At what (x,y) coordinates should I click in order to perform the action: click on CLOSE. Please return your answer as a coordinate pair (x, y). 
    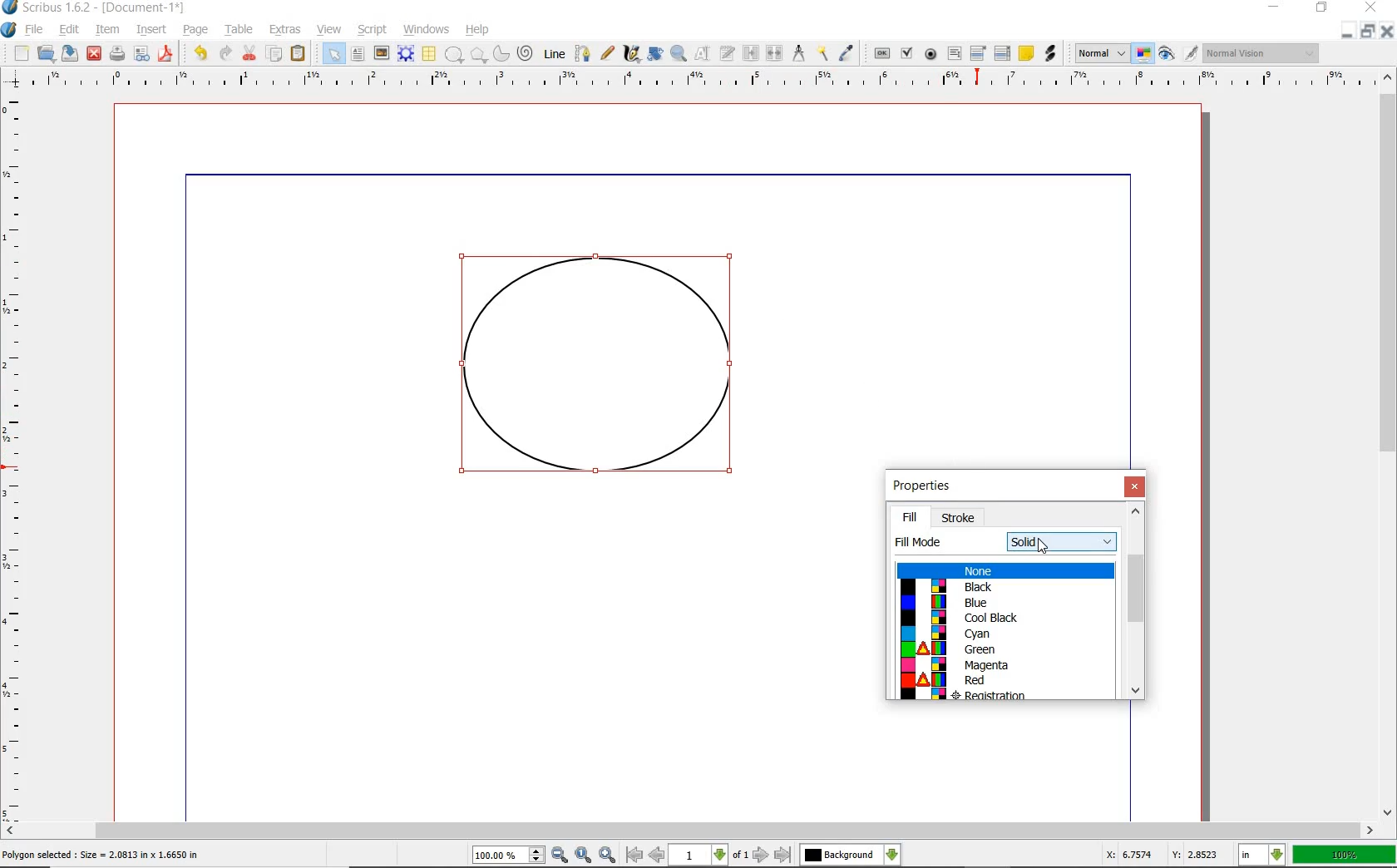
    Looking at the image, I should click on (94, 54).